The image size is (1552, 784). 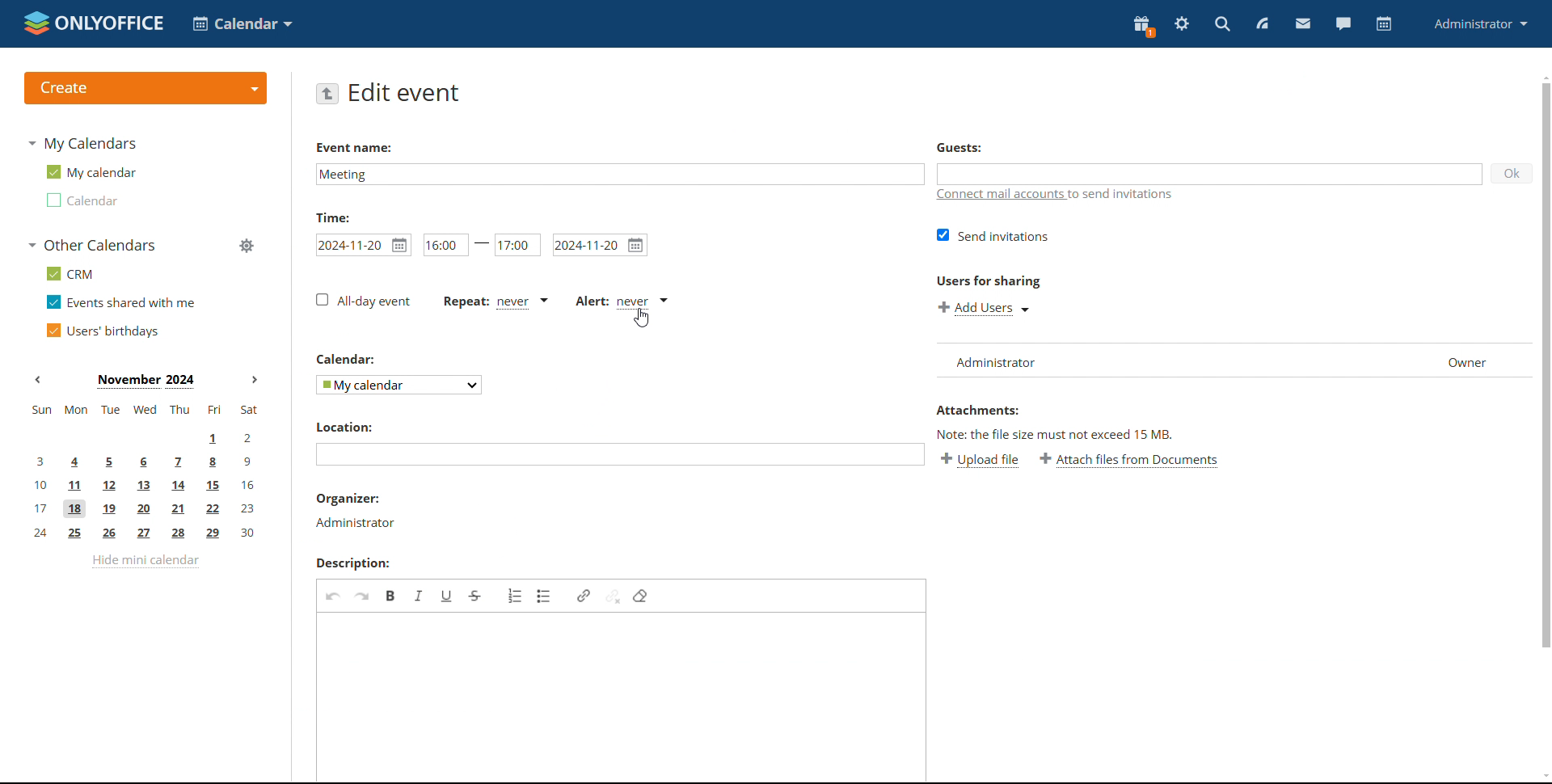 What do you see at coordinates (988, 280) in the screenshot?
I see `Users for sharing` at bounding box center [988, 280].